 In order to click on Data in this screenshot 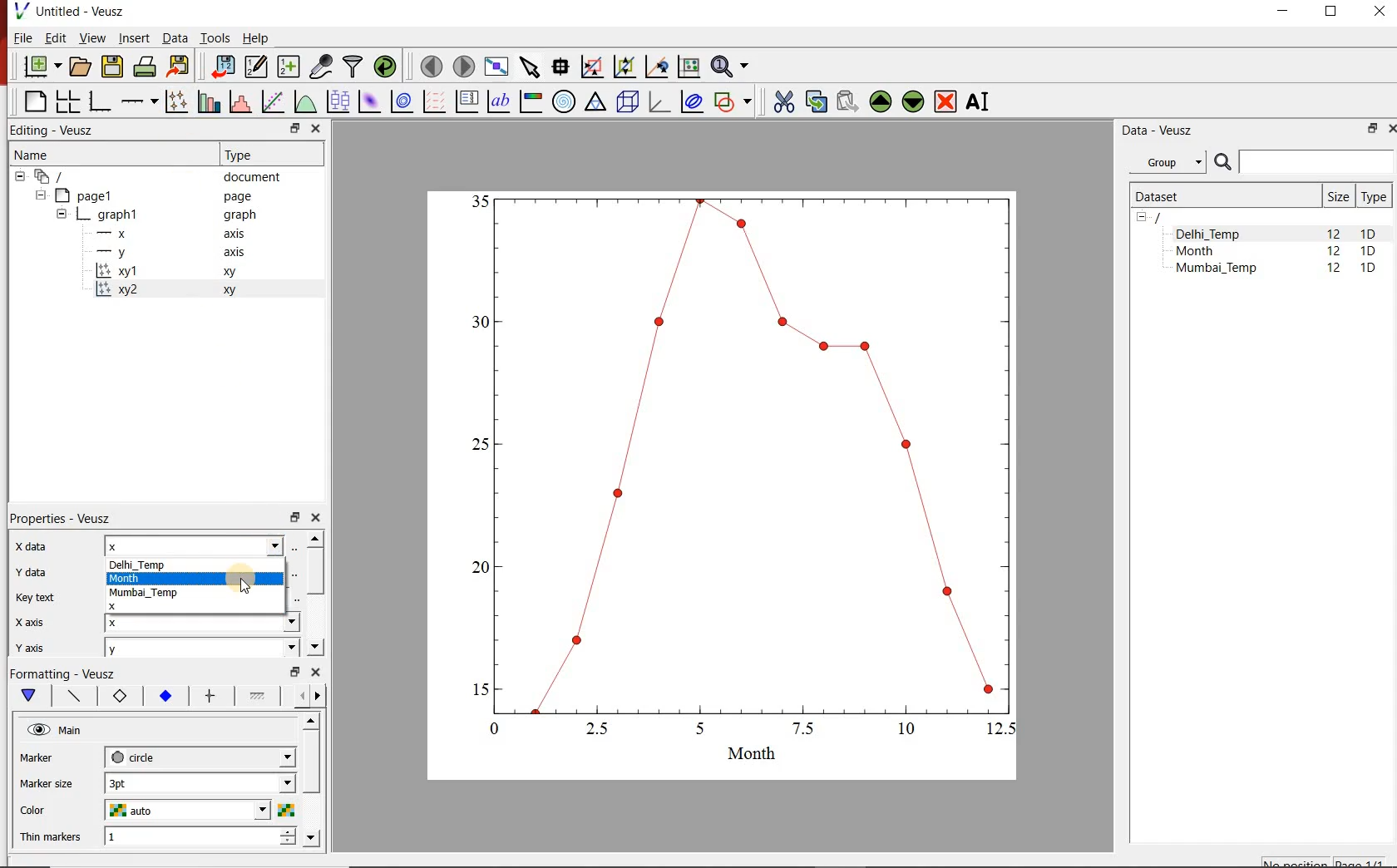, I will do `click(174, 37)`.